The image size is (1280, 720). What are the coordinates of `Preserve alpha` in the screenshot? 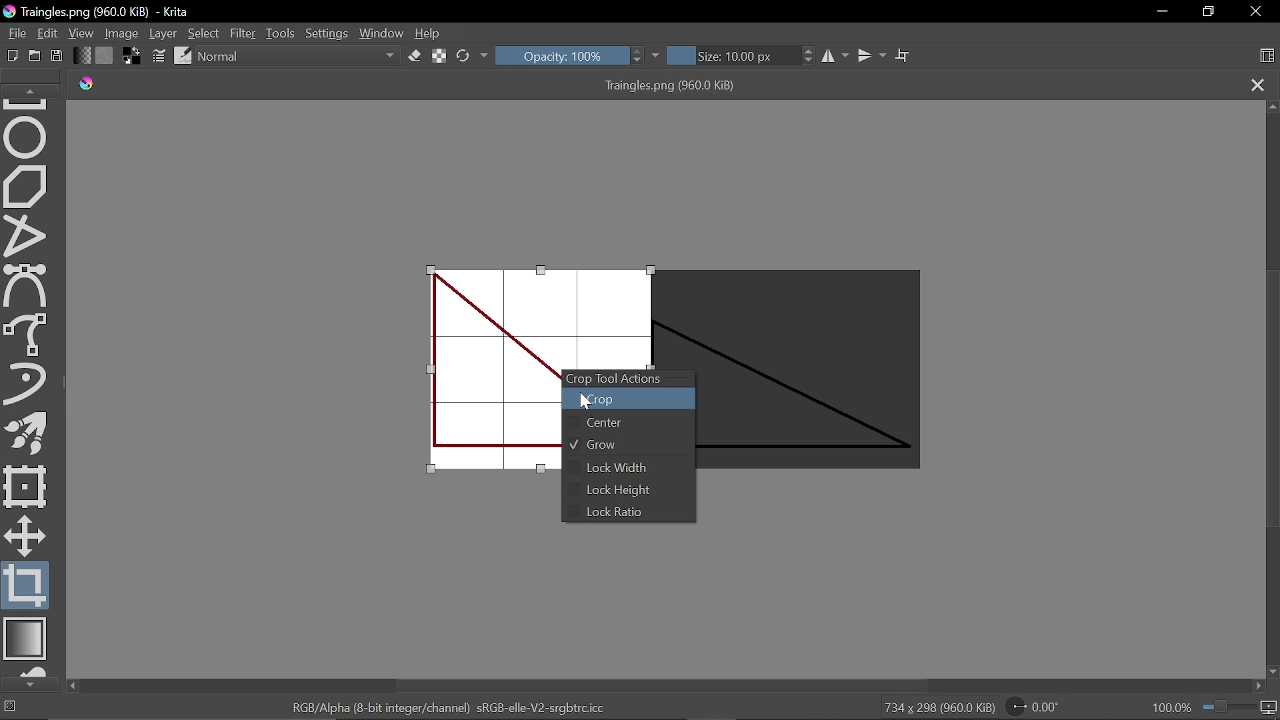 It's located at (439, 57).